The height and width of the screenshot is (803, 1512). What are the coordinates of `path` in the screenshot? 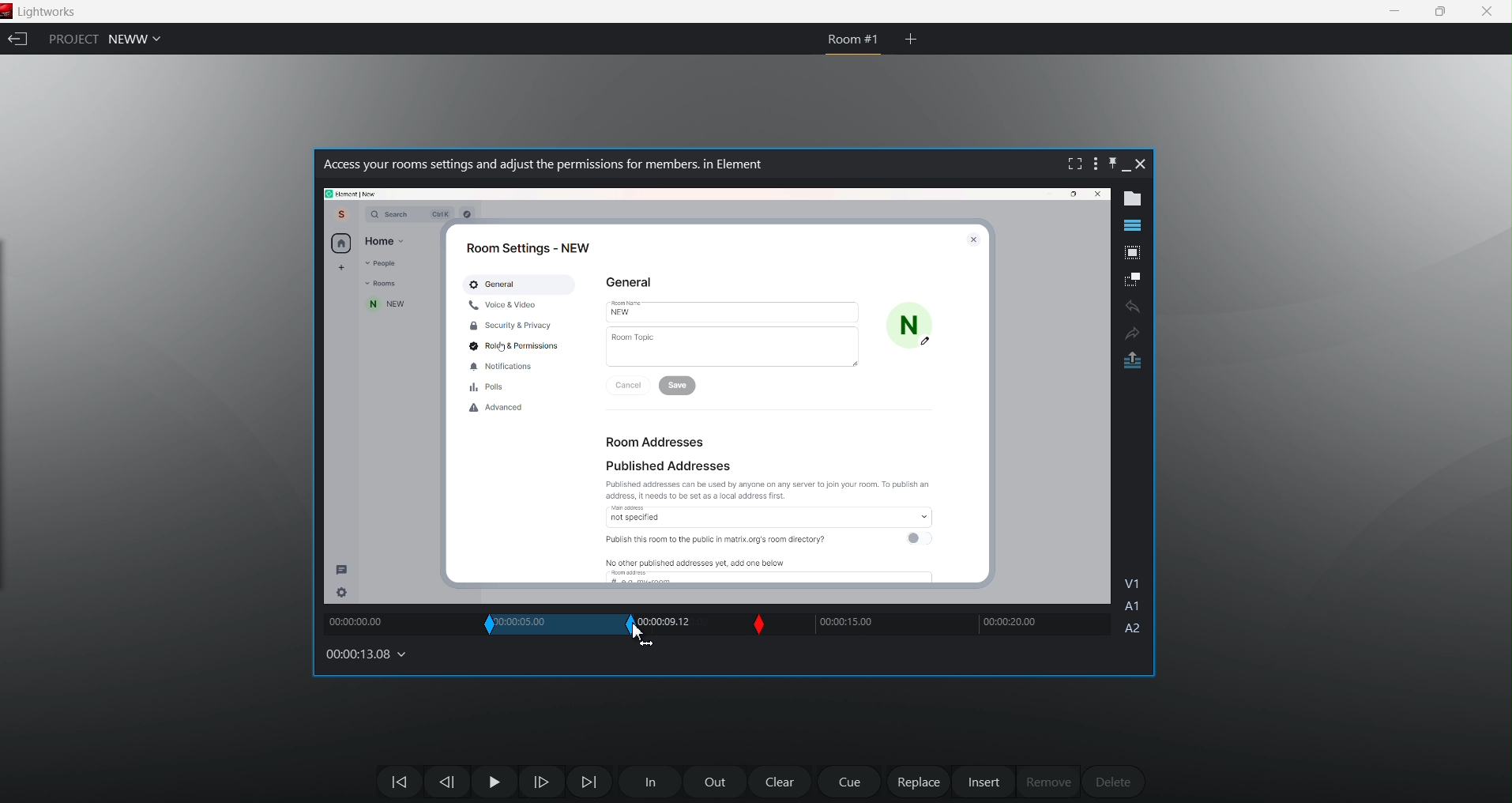 It's located at (351, 193).